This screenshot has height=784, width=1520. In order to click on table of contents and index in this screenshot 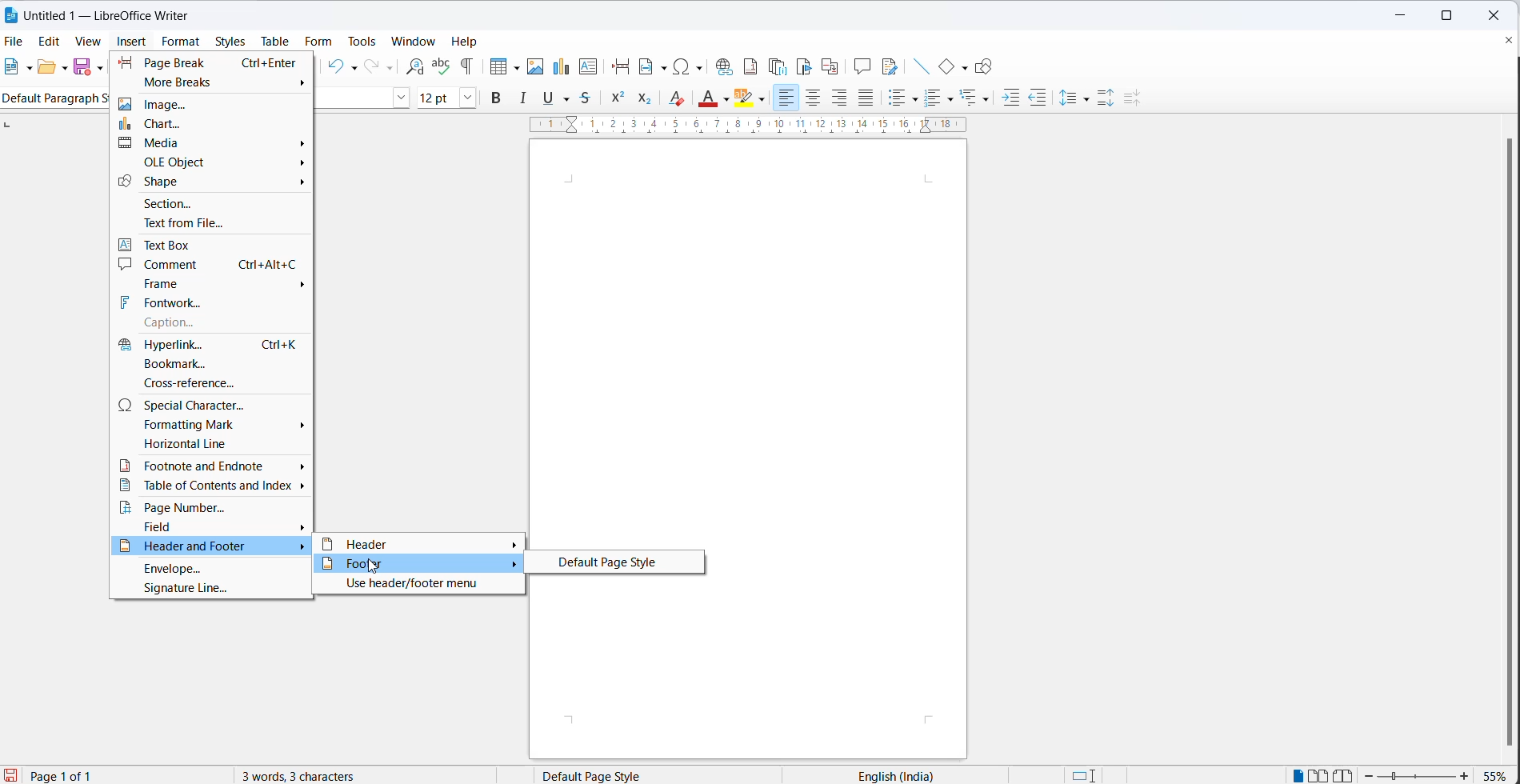, I will do `click(210, 486)`.